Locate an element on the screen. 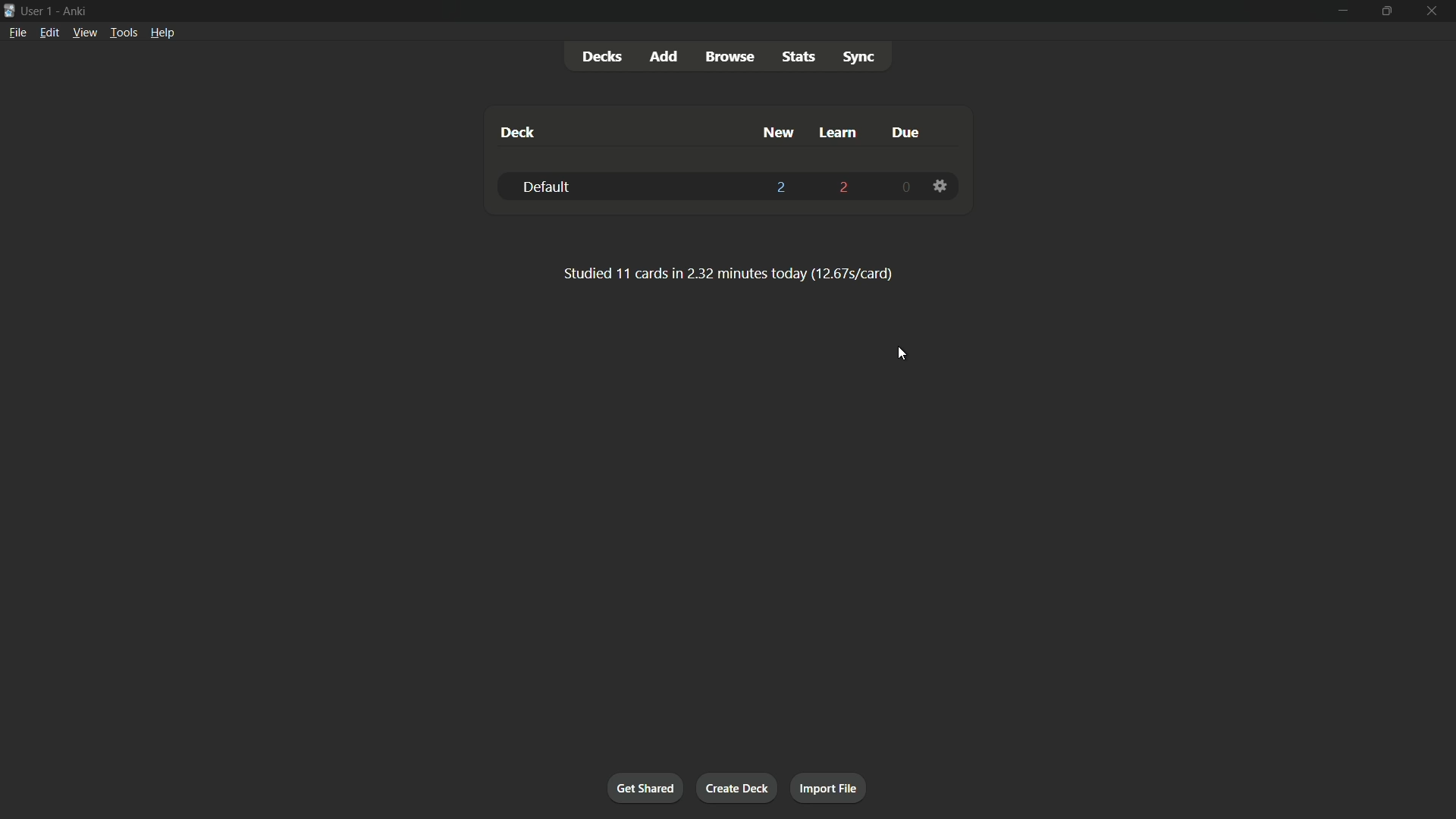  edit menu is located at coordinates (49, 33).